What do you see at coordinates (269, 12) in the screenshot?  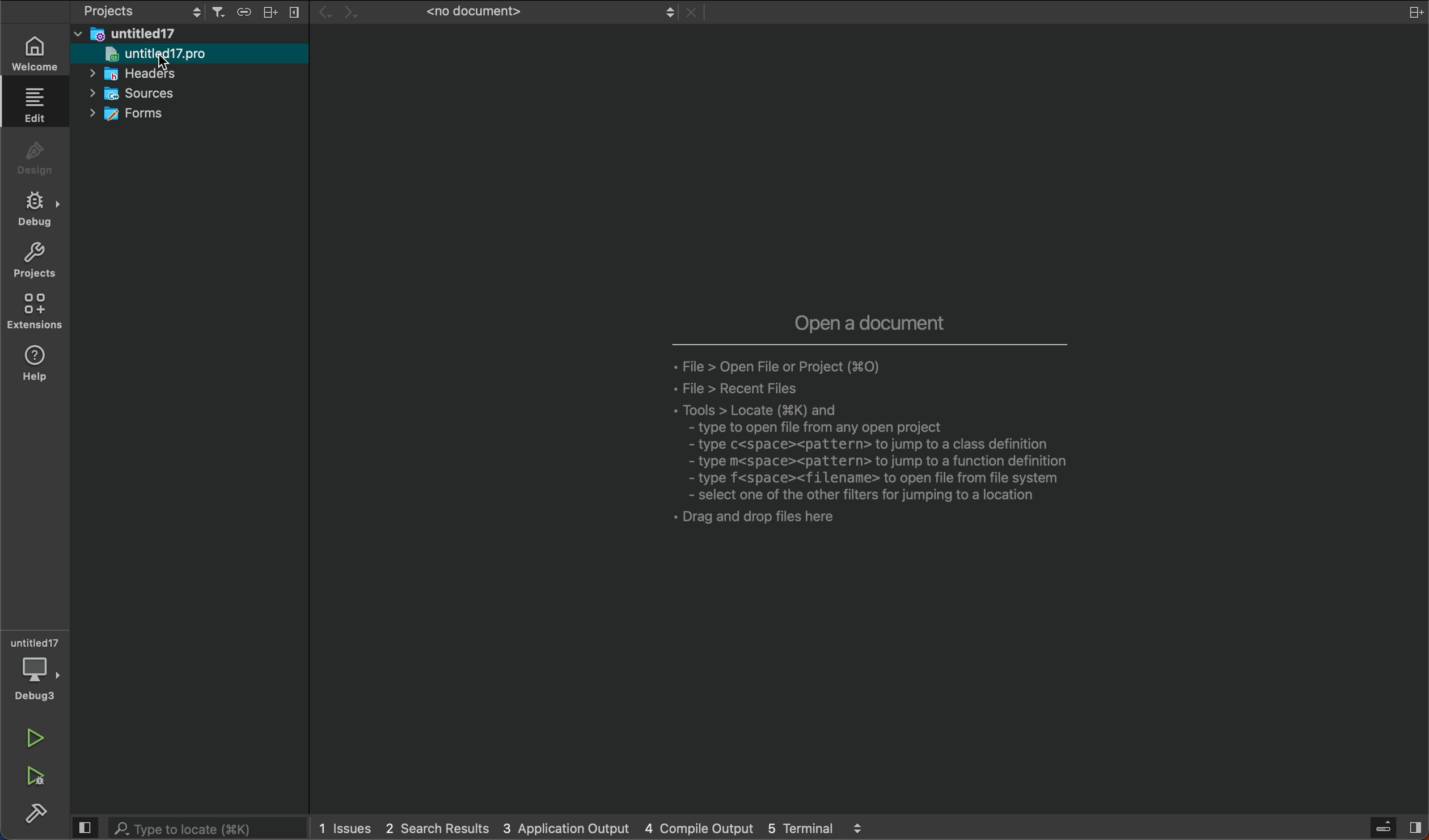 I see `` at bounding box center [269, 12].